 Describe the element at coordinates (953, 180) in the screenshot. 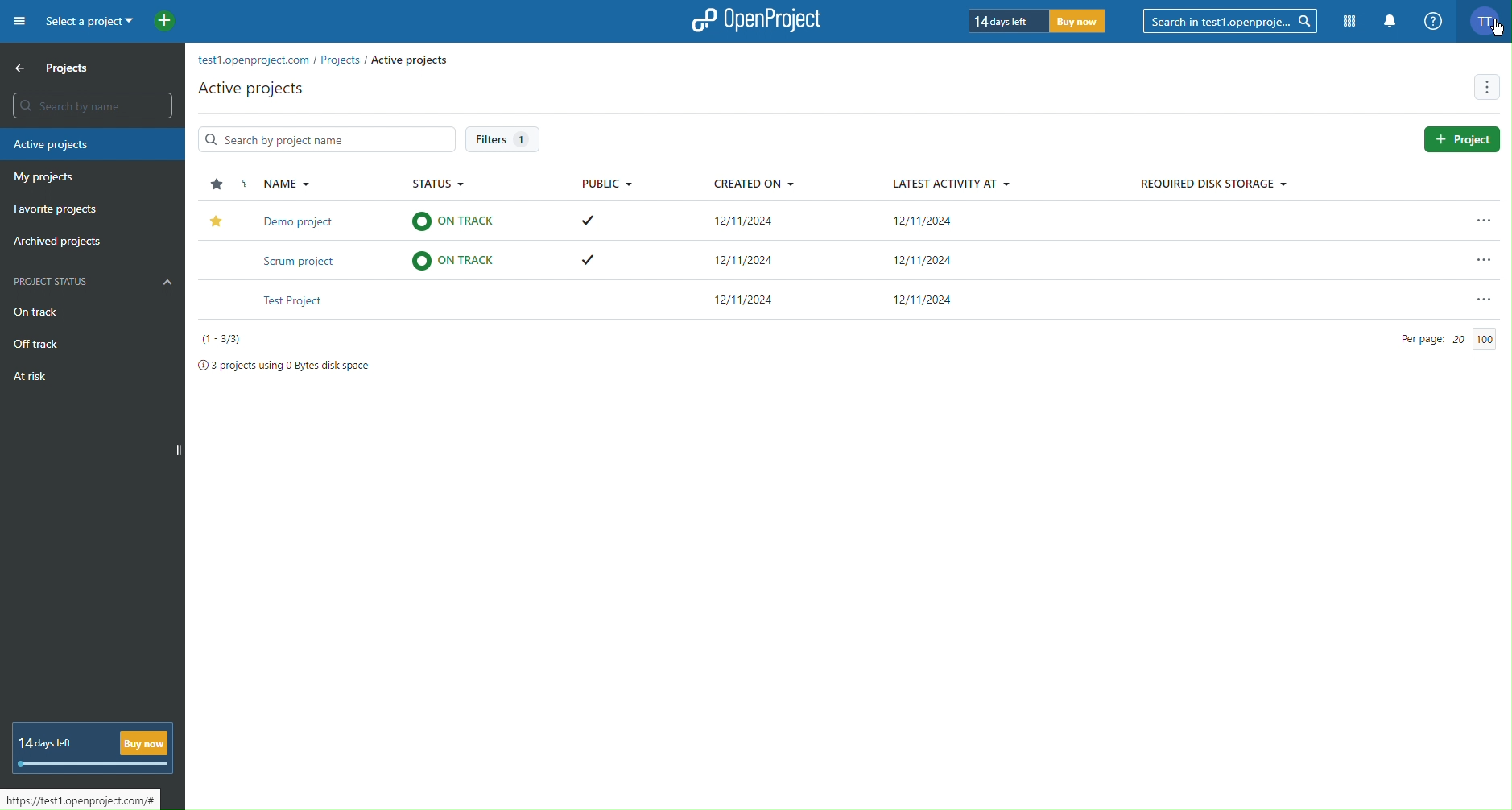

I see `Latest Activity At` at that location.